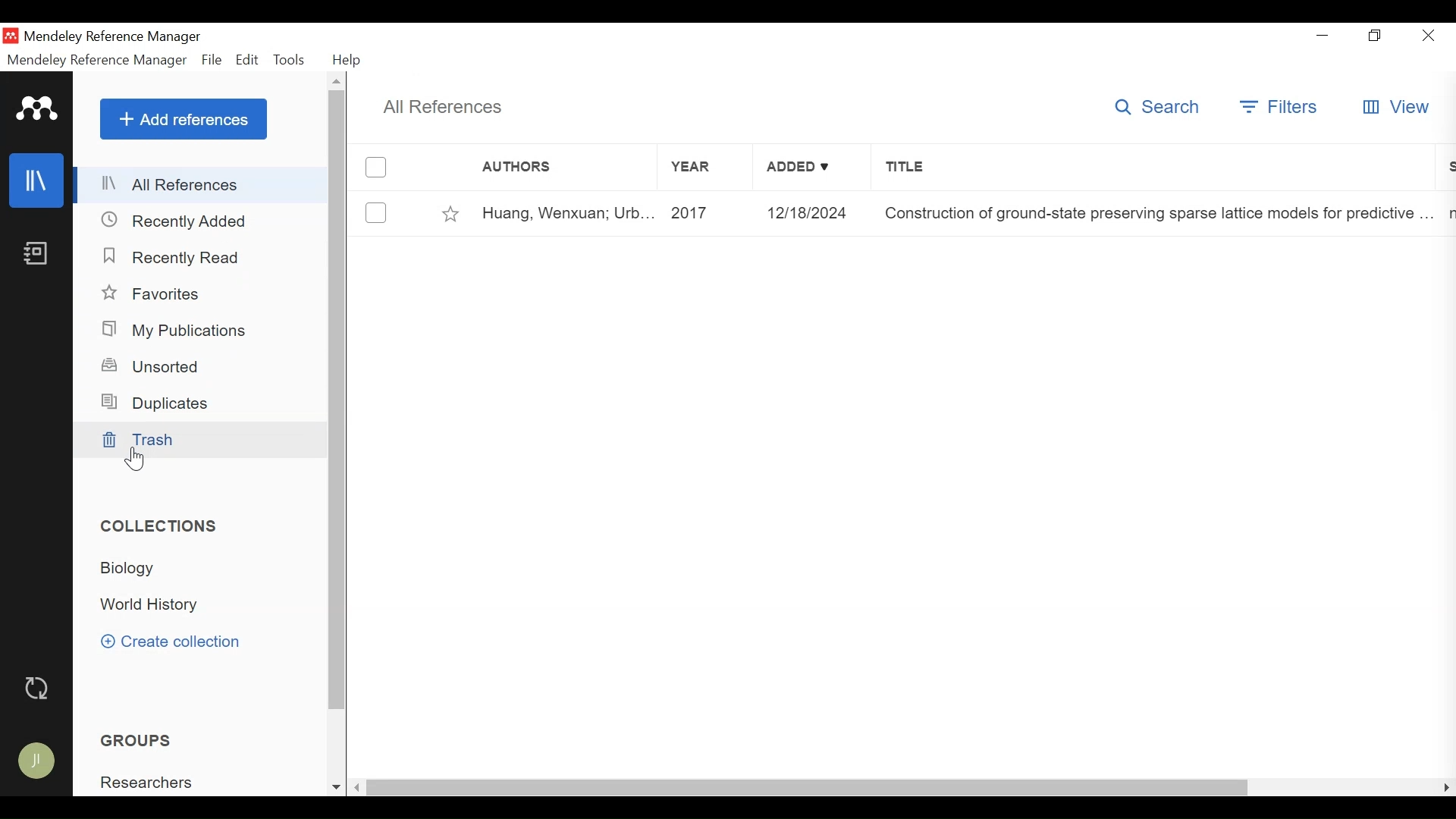  I want to click on Recently Read, so click(172, 258).